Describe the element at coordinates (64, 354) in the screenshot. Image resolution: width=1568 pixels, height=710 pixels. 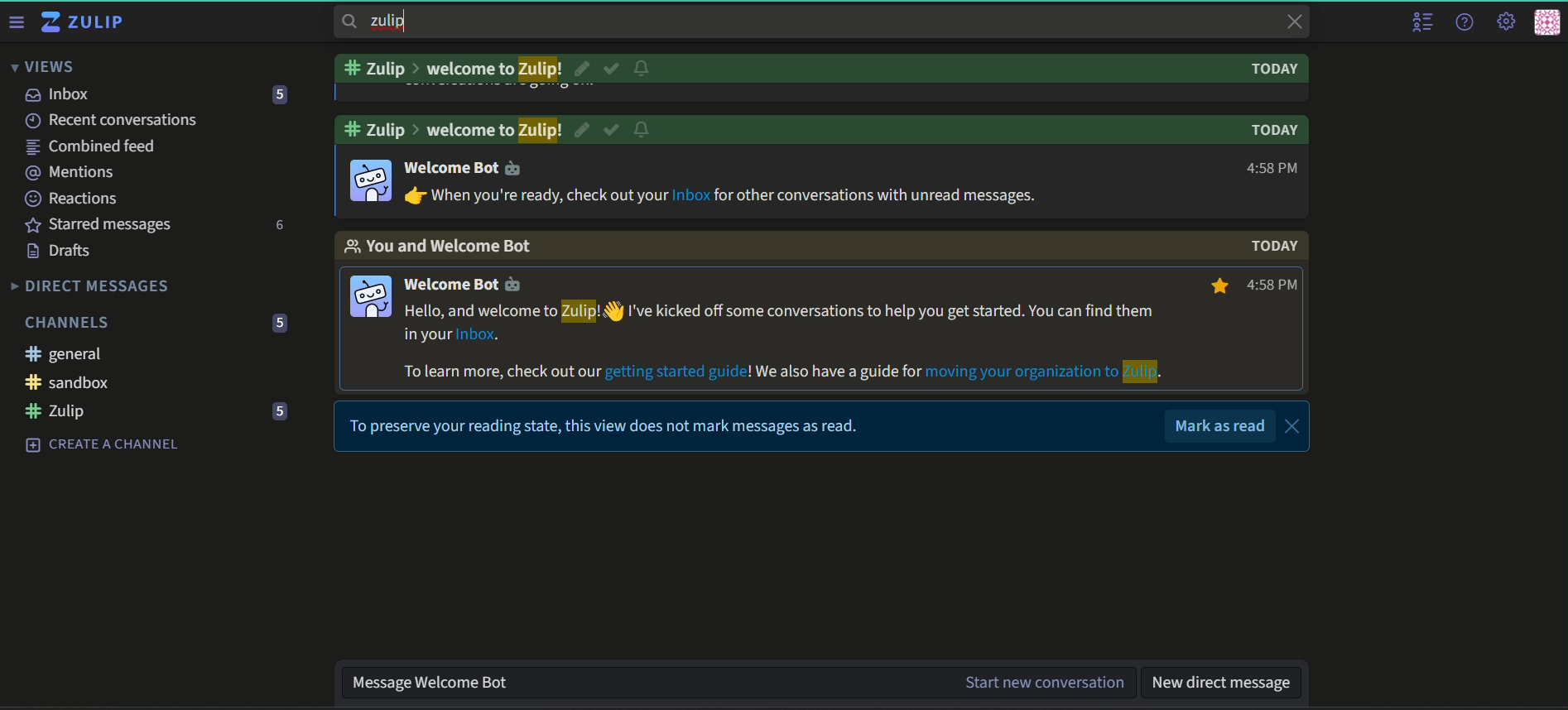
I see `#general` at that location.